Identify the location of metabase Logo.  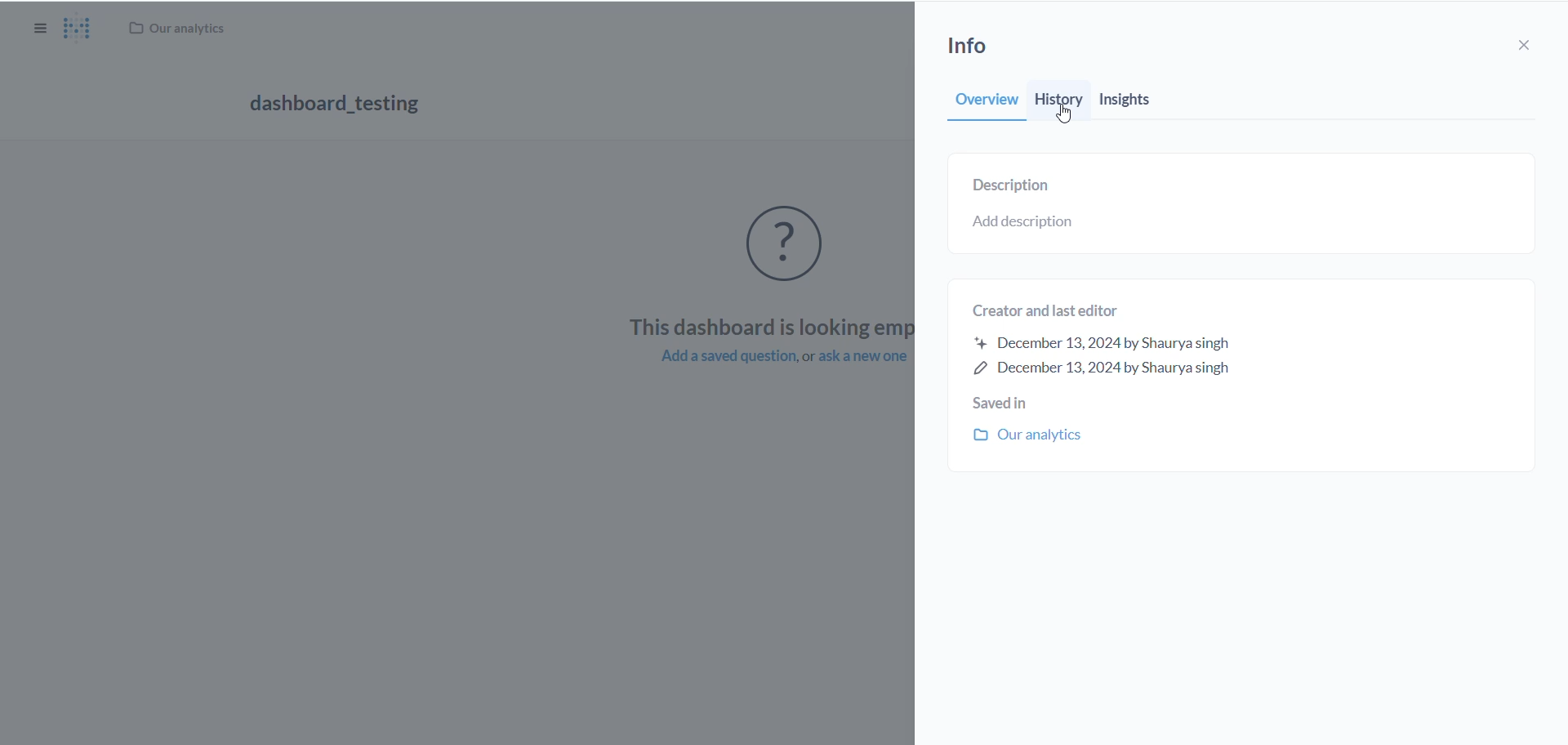
(78, 29).